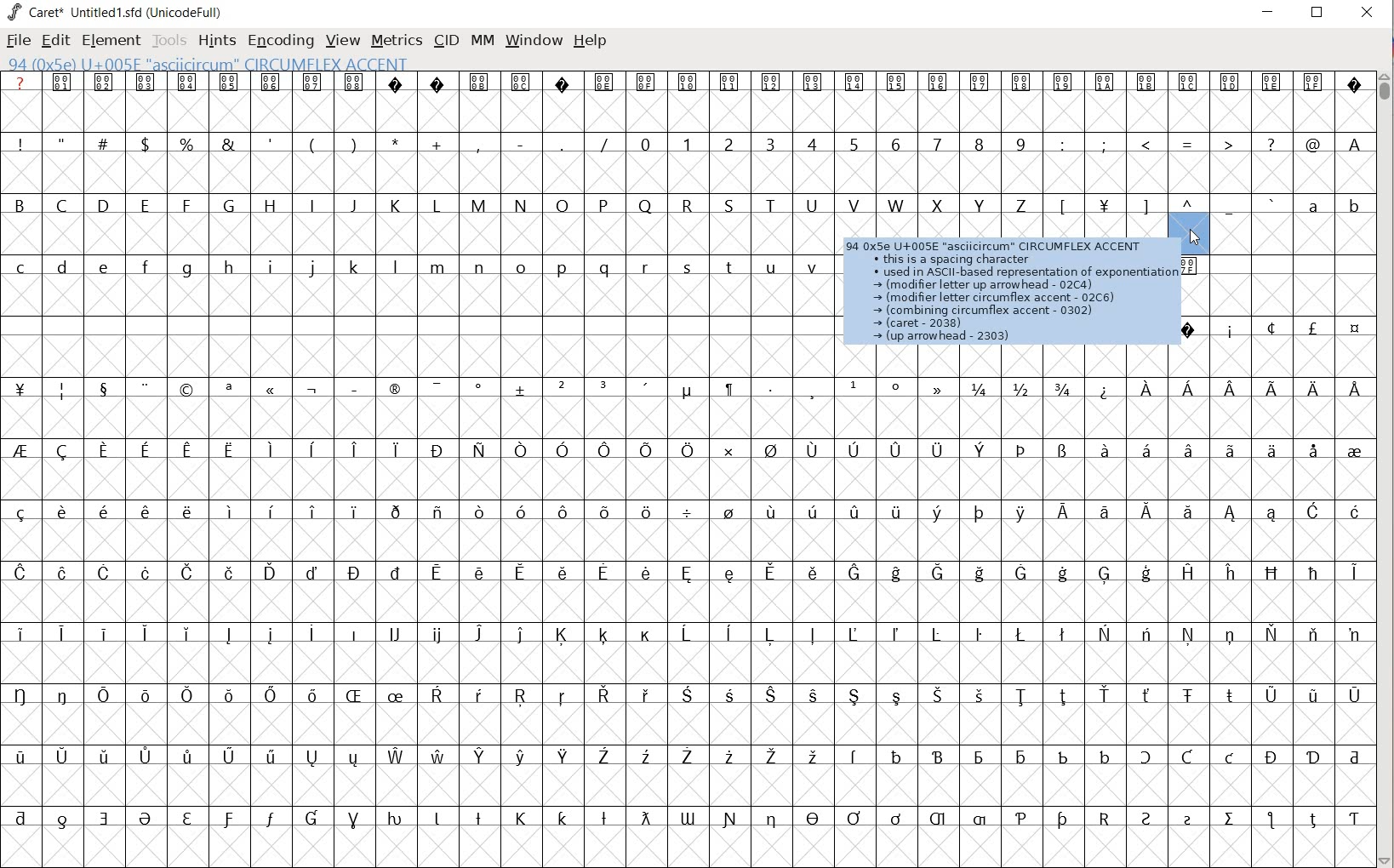 The width and height of the screenshot is (1394, 868). What do you see at coordinates (342, 41) in the screenshot?
I see `VIEW` at bounding box center [342, 41].